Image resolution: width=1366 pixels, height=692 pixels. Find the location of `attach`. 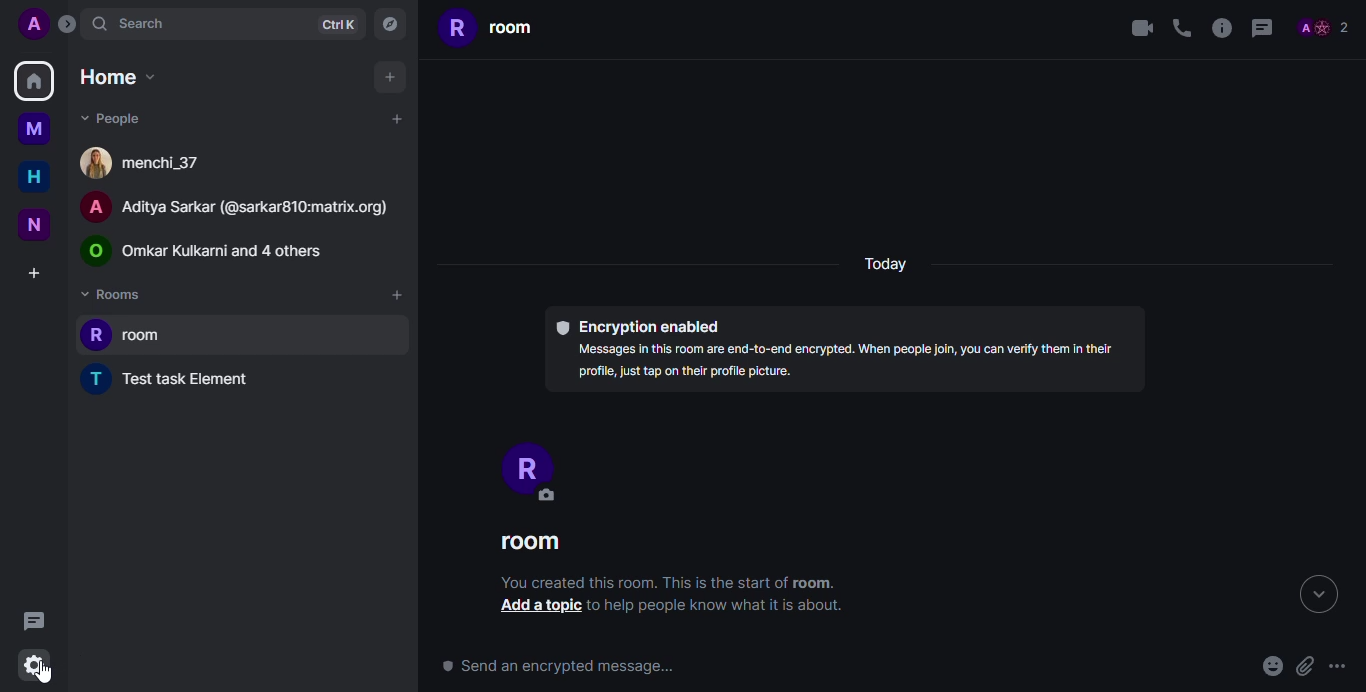

attach is located at coordinates (1305, 666).